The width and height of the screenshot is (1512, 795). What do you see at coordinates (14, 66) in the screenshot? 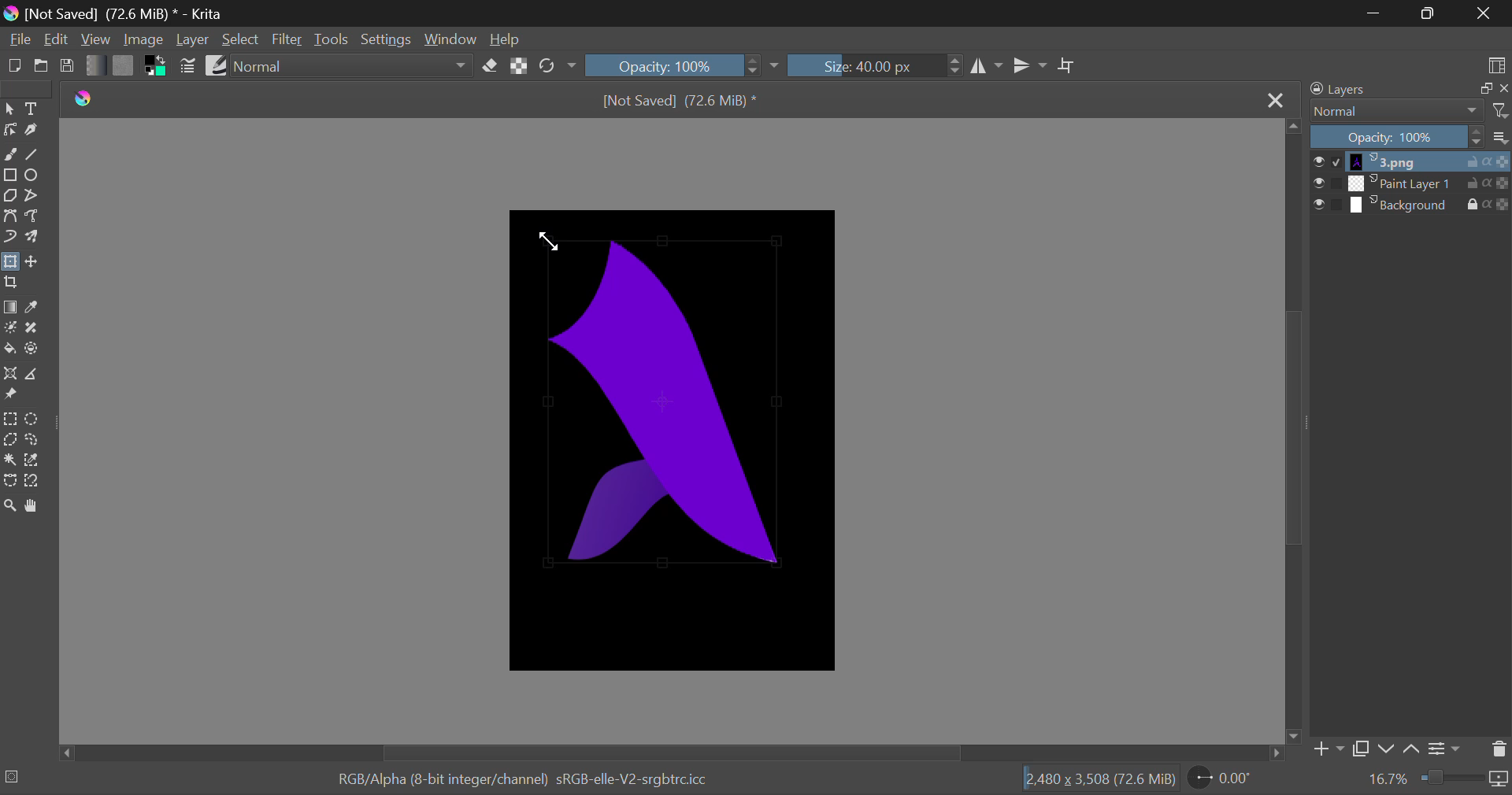
I see `New` at bounding box center [14, 66].